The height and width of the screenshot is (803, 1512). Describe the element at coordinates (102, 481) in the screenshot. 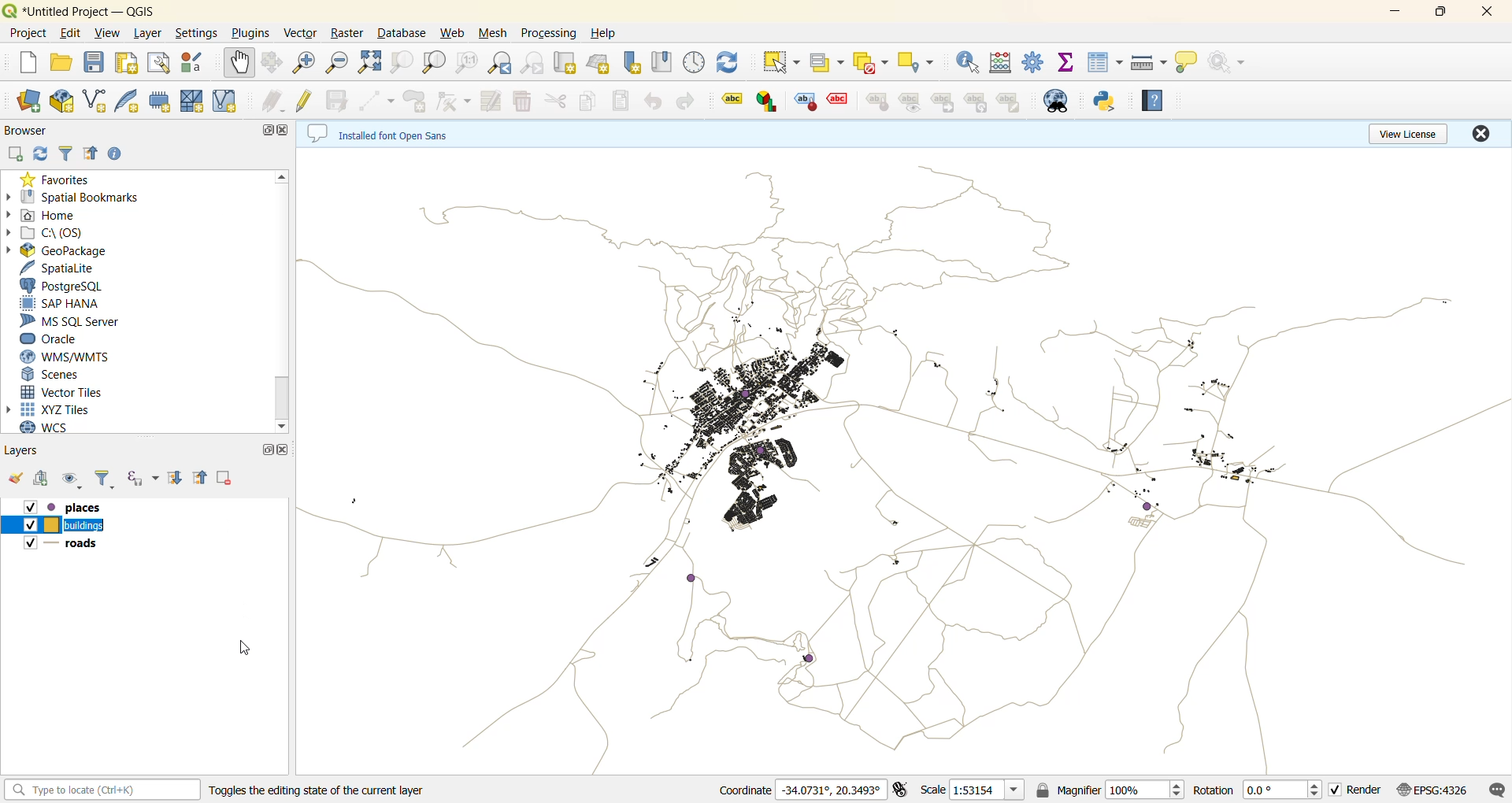

I see `filter` at that location.